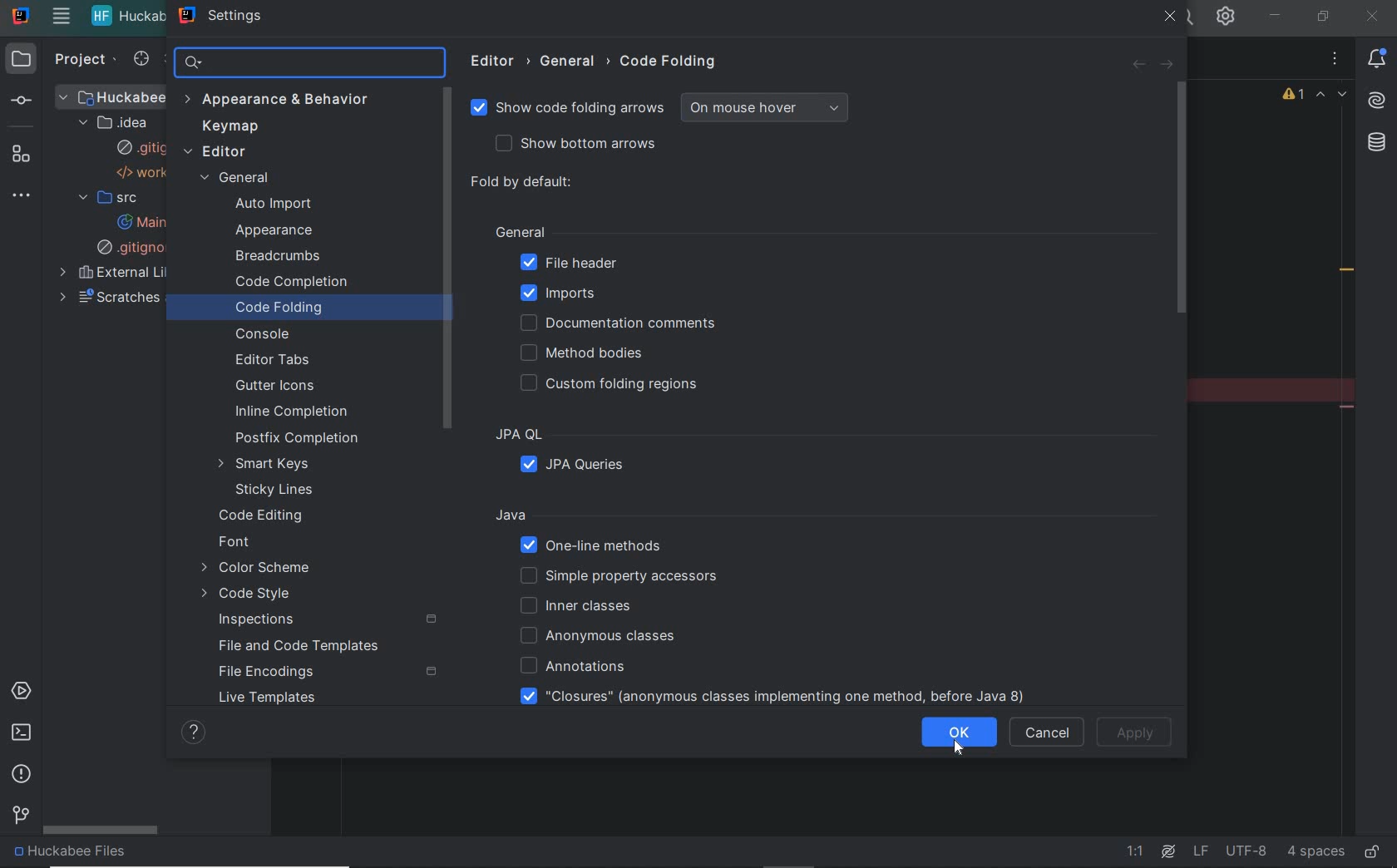  I want to click on notifications, so click(1381, 57).